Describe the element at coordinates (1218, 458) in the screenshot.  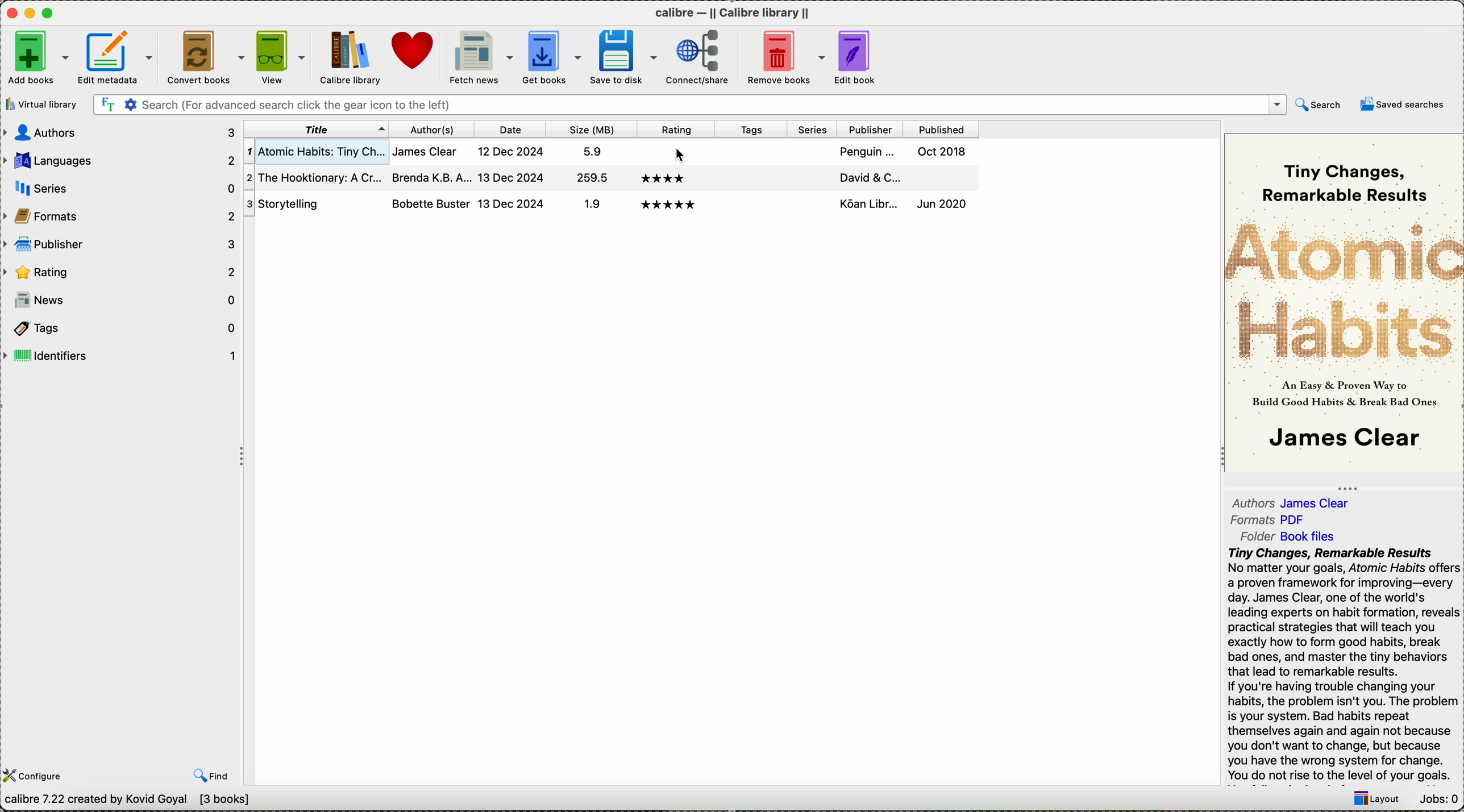
I see `Collapse` at that location.